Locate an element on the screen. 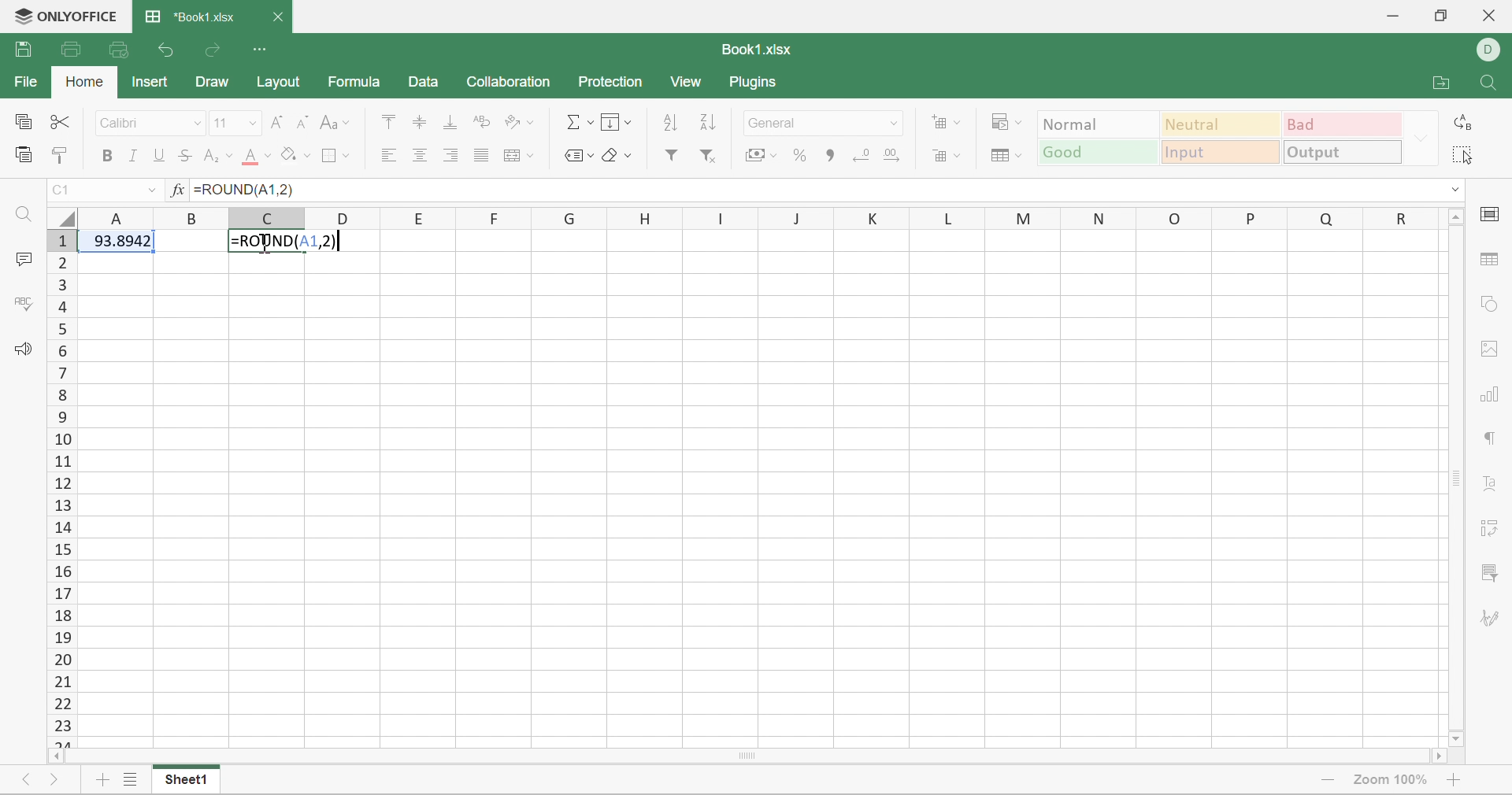 This screenshot has width=1512, height=795. =ROUND(A1,2) is located at coordinates (250, 189).